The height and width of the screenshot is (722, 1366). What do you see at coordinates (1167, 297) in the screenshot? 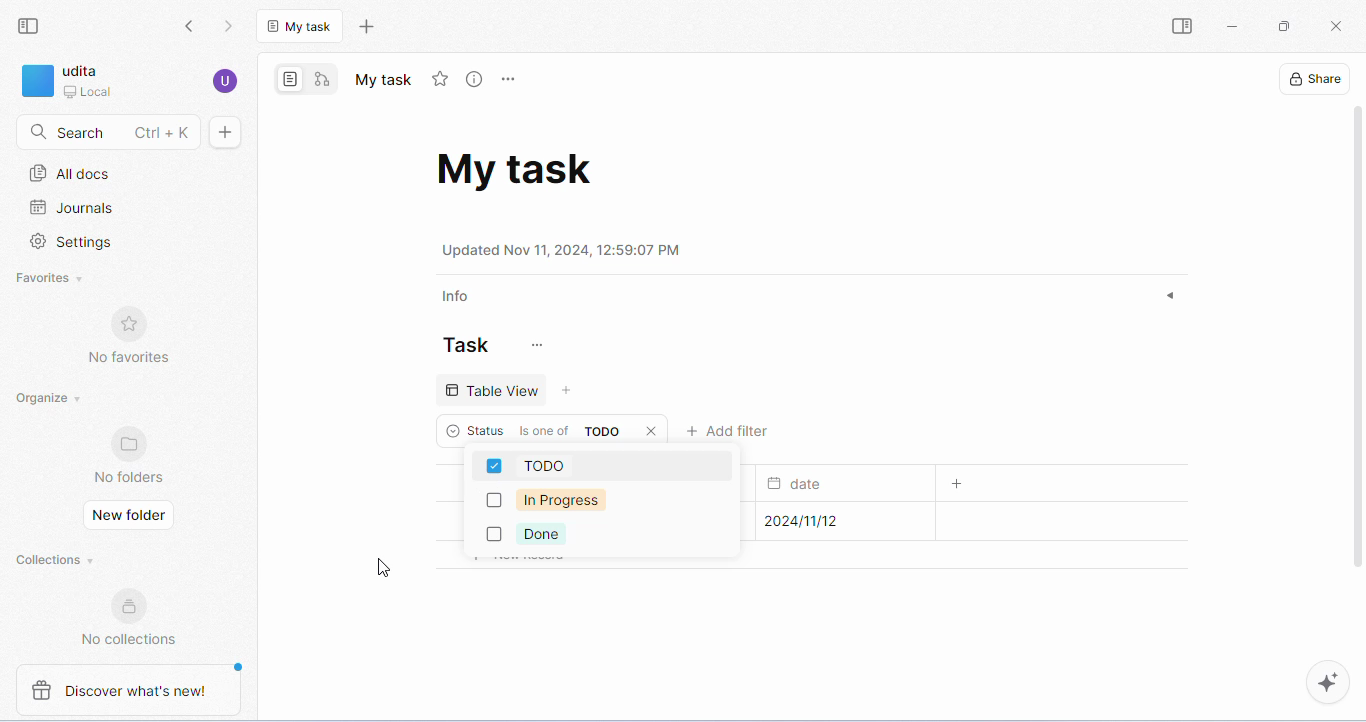
I see `expand` at bounding box center [1167, 297].